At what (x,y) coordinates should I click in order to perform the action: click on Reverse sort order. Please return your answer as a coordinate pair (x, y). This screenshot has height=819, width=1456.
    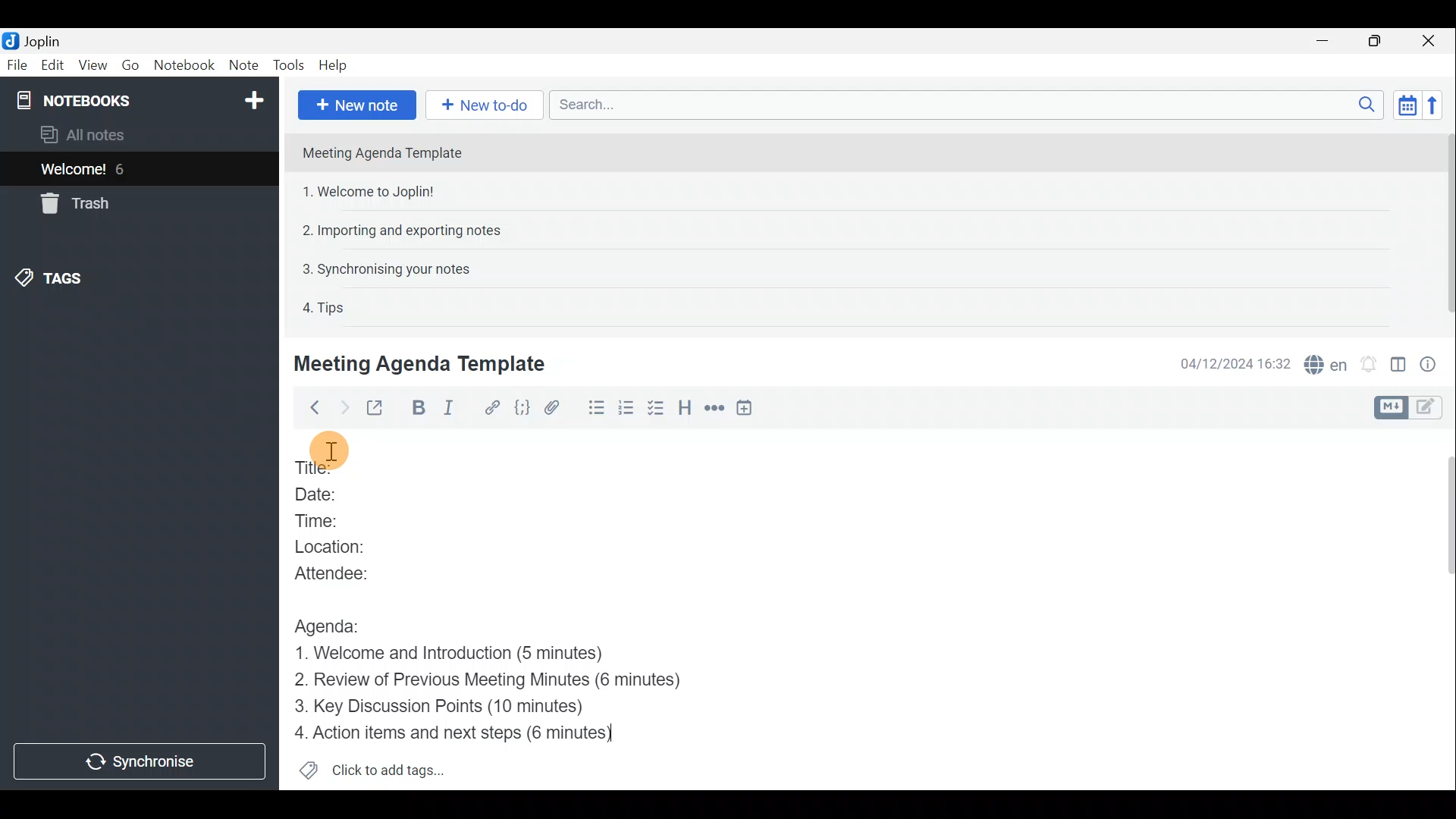
    Looking at the image, I should click on (1433, 105).